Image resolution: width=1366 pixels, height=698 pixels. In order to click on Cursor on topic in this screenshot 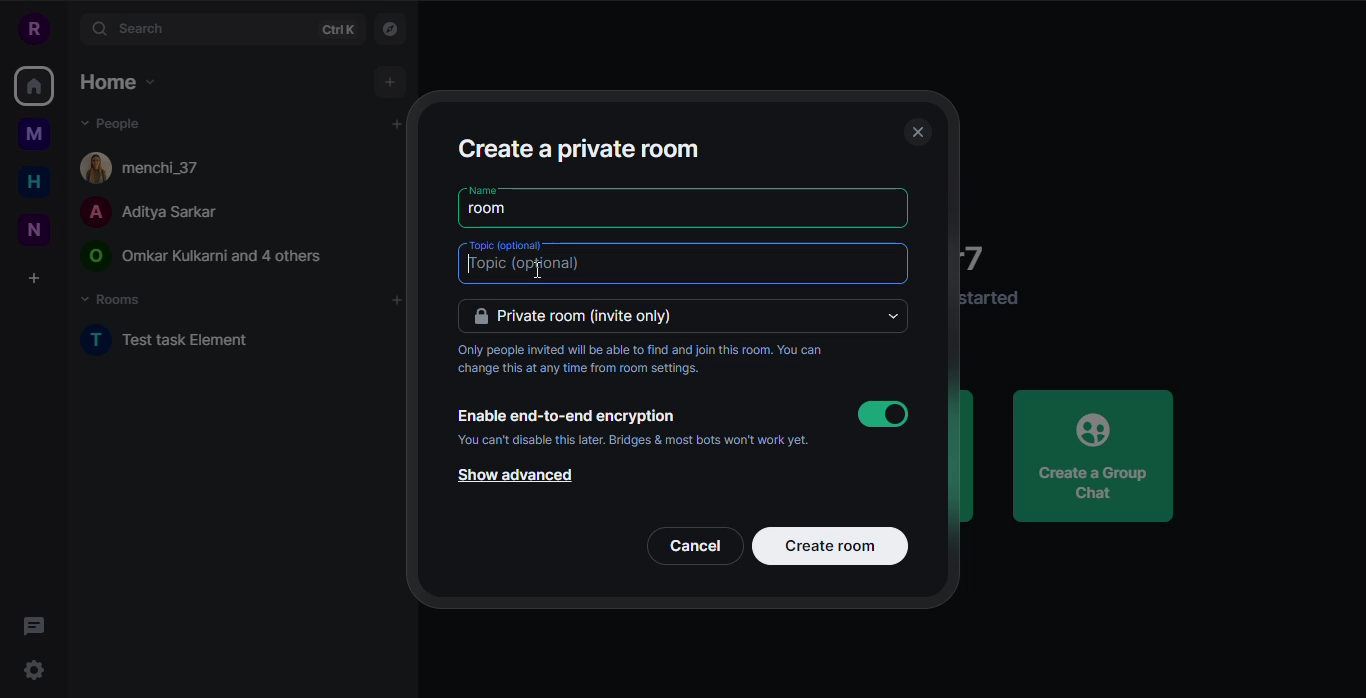, I will do `click(528, 268)`.